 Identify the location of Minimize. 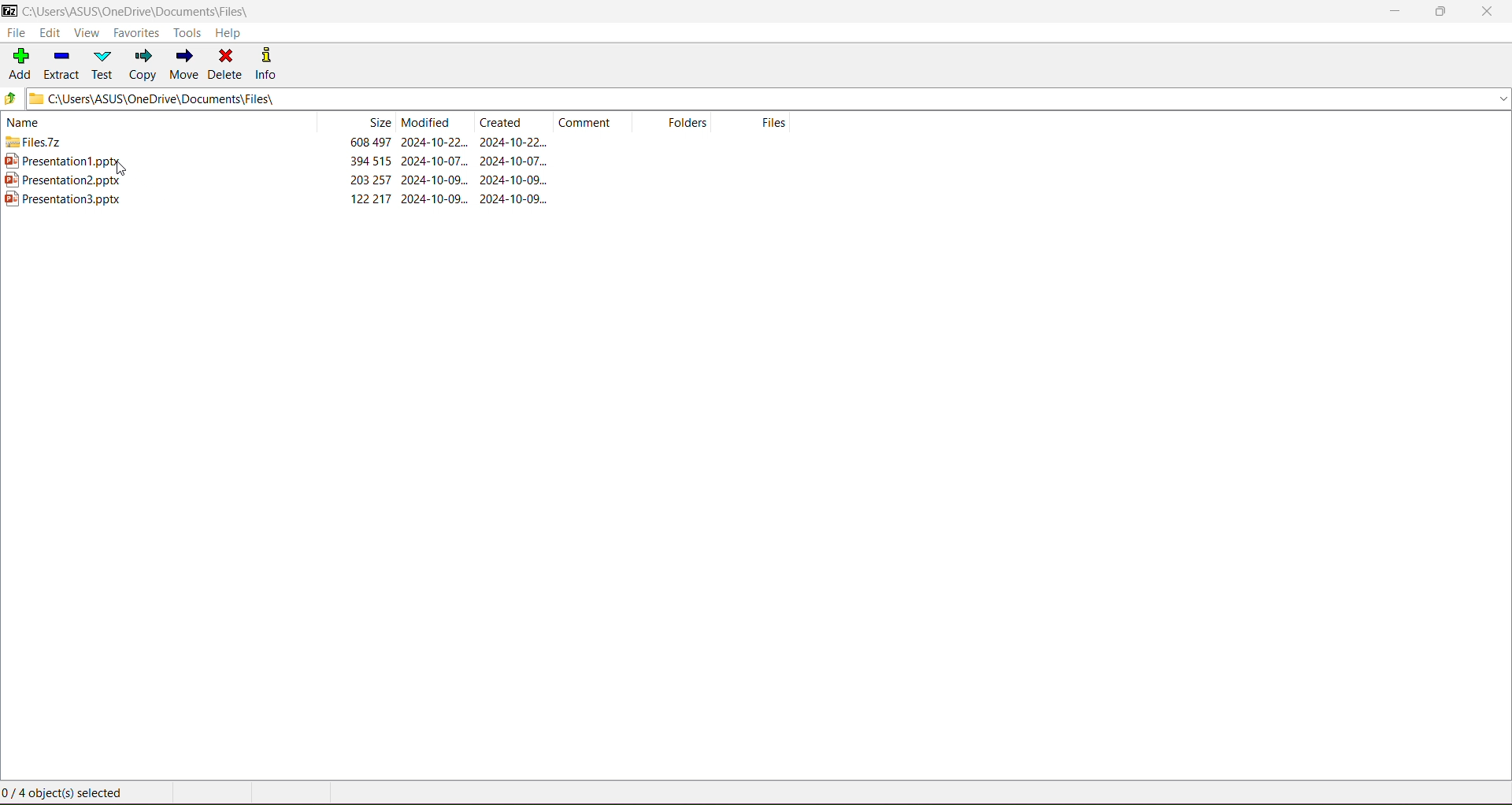
(1392, 12).